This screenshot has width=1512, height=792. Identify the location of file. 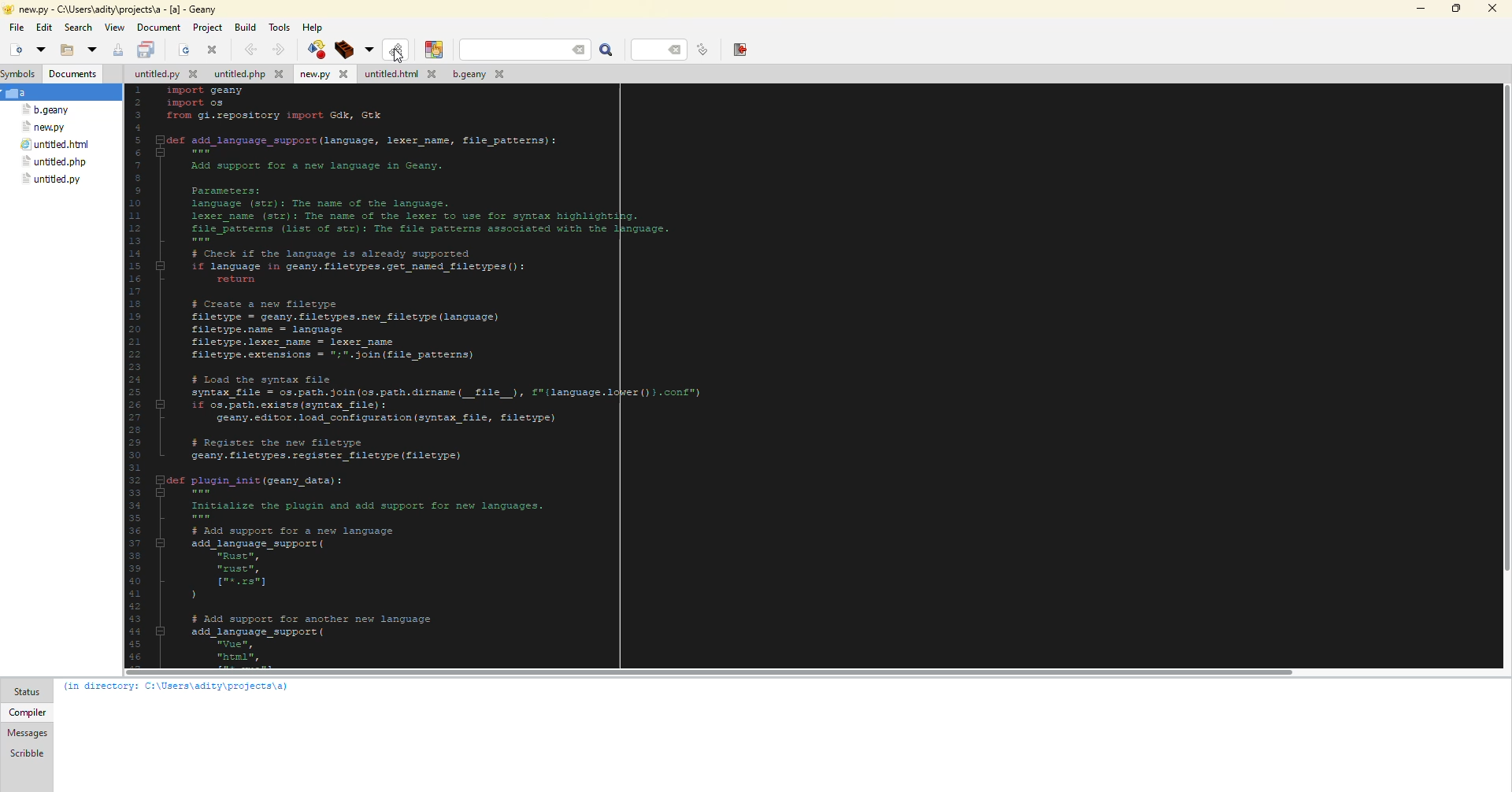
(14, 27).